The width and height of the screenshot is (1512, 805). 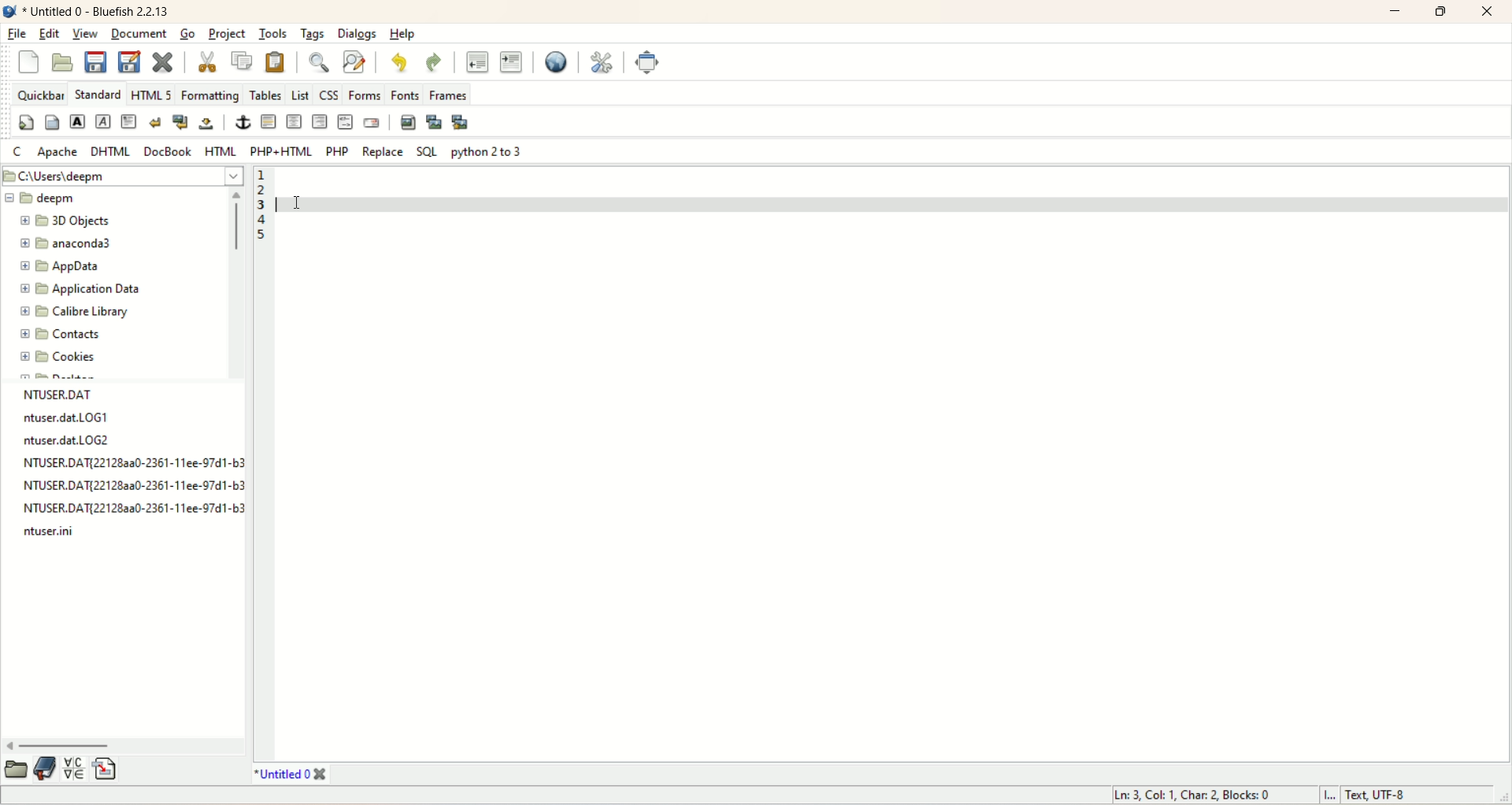 What do you see at coordinates (85, 35) in the screenshot?
I see `view` at bounding box center [85, 35].